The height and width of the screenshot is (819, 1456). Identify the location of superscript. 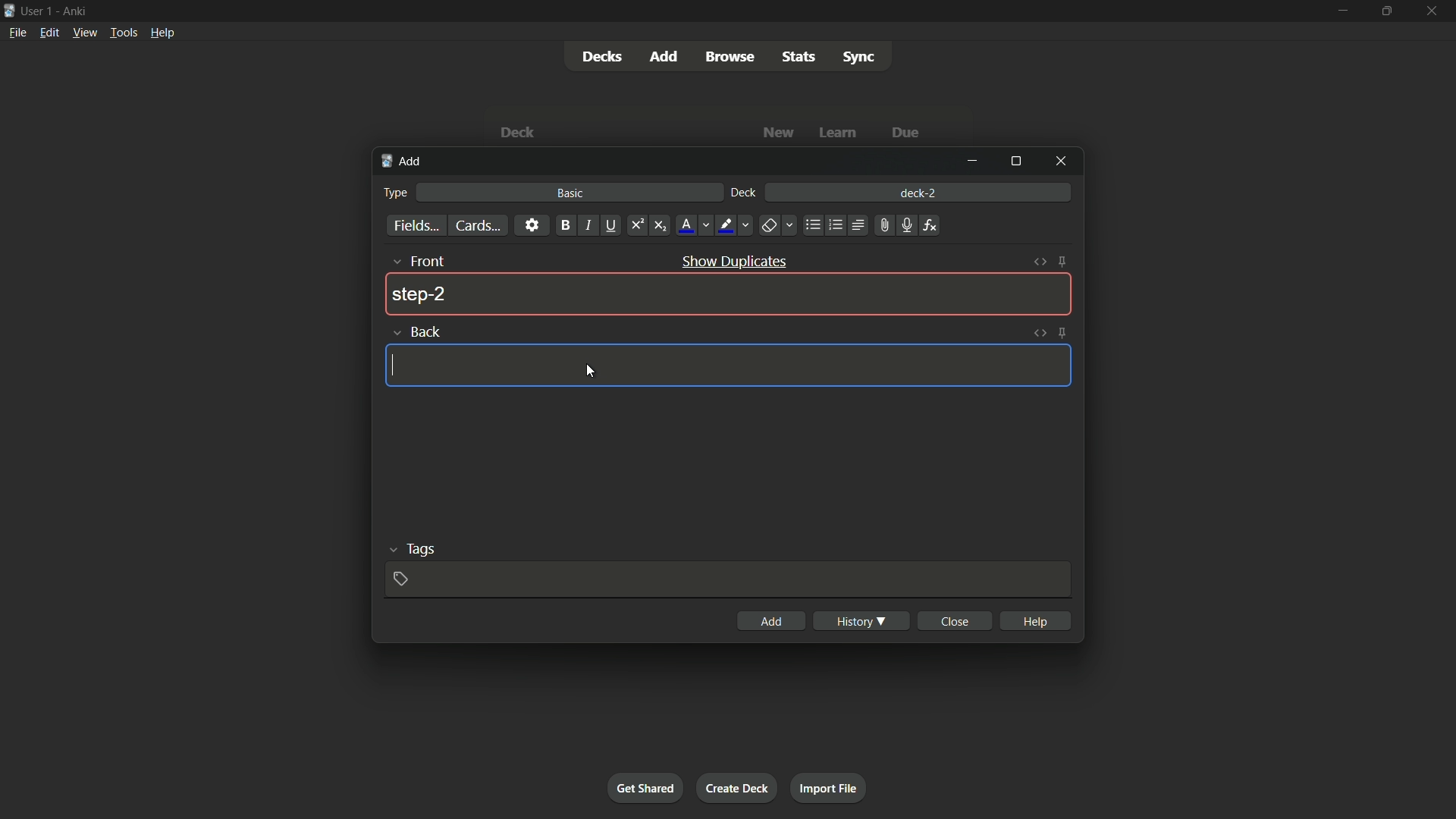
(637, 226).